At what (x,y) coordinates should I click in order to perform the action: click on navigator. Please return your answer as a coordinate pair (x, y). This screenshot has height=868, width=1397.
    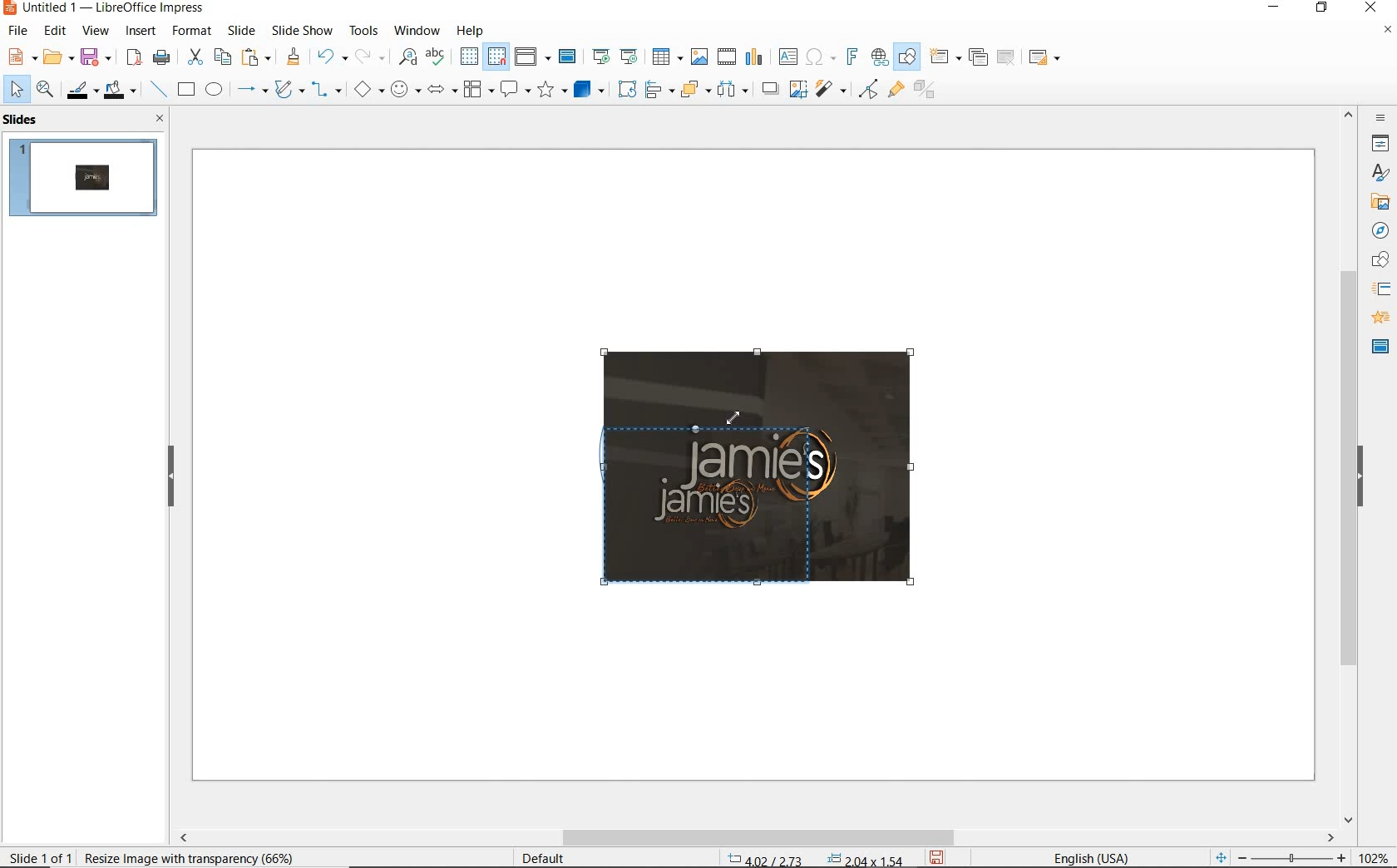
    Looking at the image, I should click on (1379, 229).